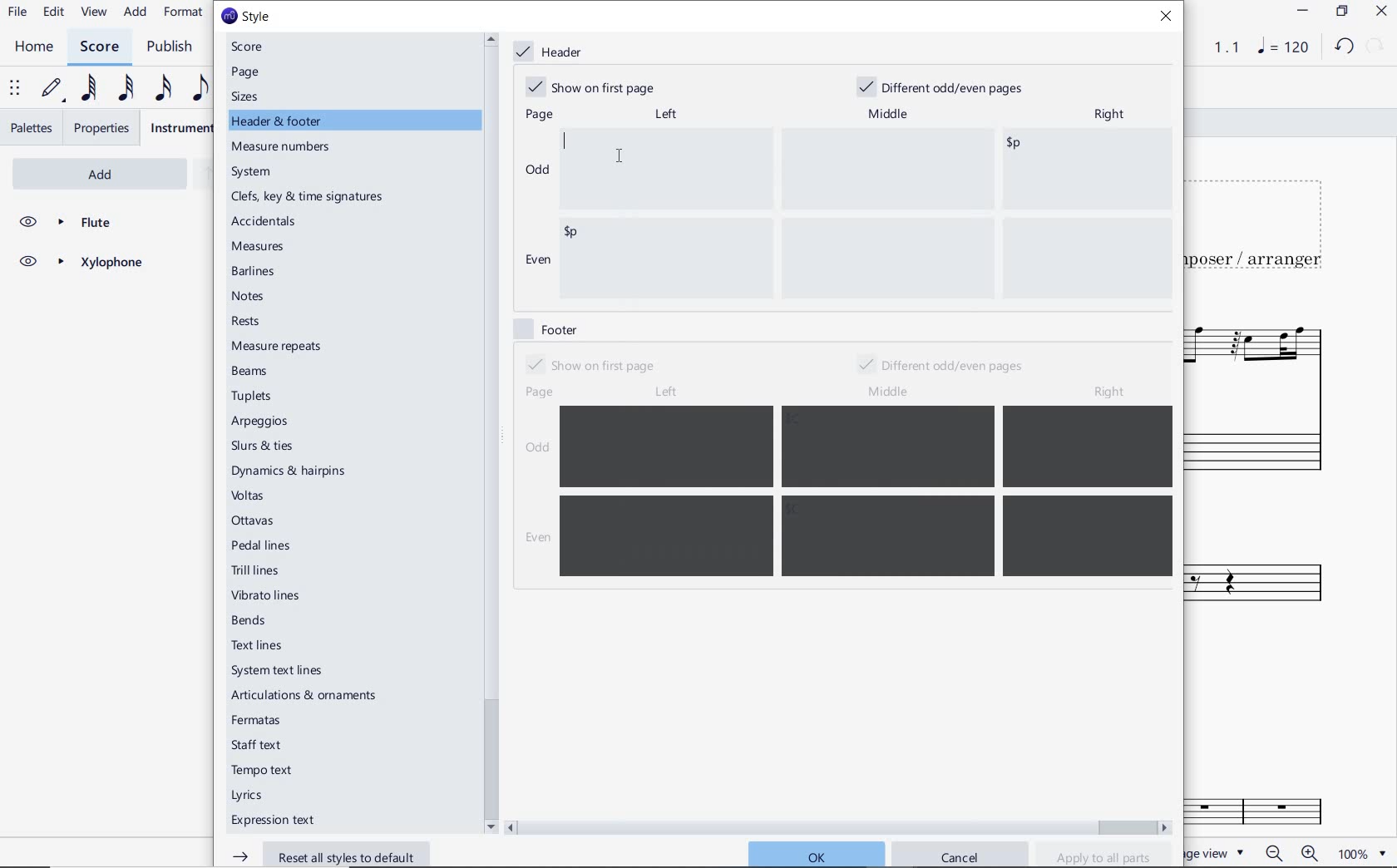 The width and height of the screenshot is (1397, 868). What do you see at coordinates (880, 214) in the screenshot?
I see `enter data` at bounding box center [880, 214].